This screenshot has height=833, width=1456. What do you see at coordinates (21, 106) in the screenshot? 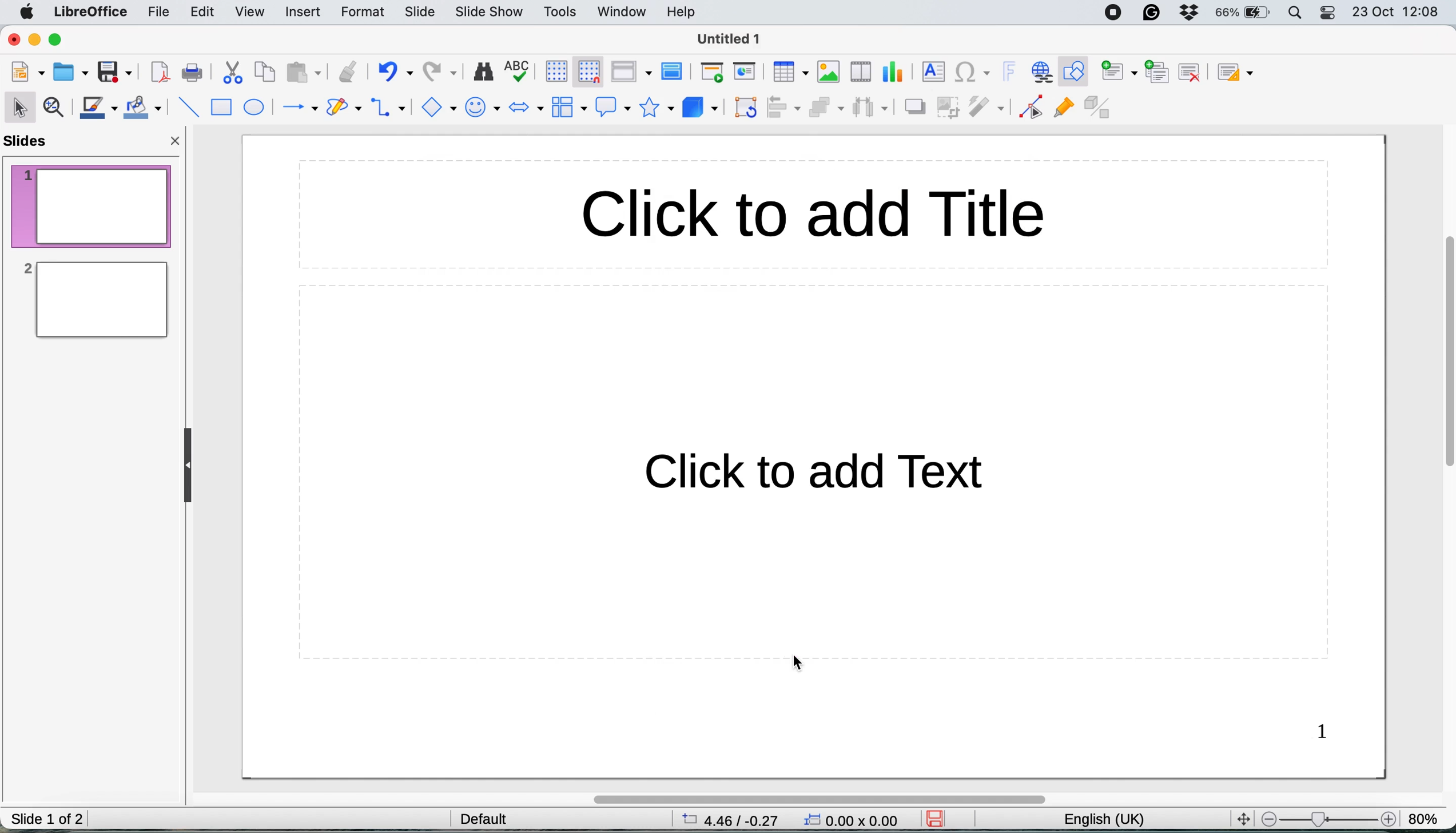
I see `selection tool` at bounding box center [21, 106].